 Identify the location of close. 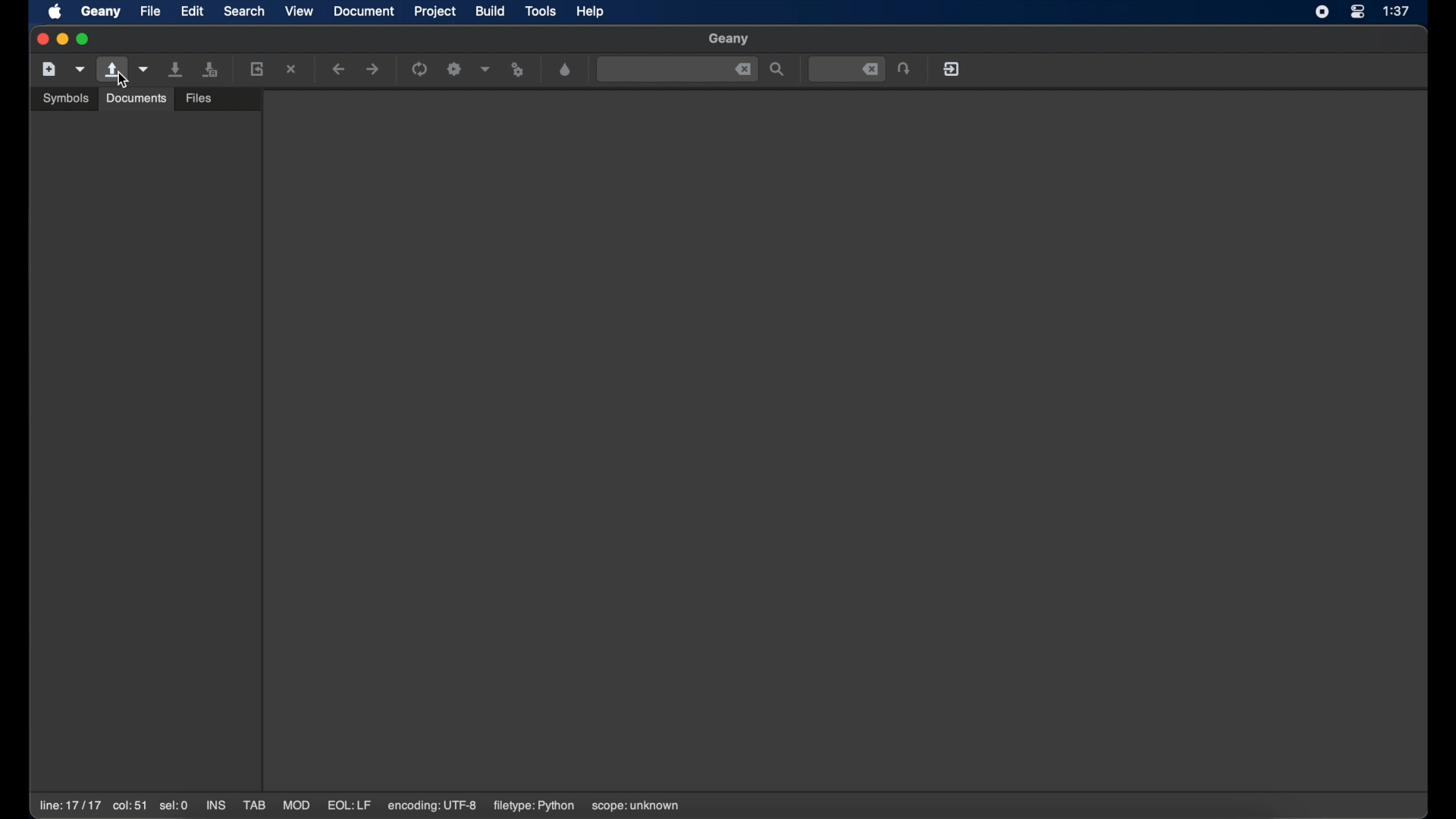
(41, 39).